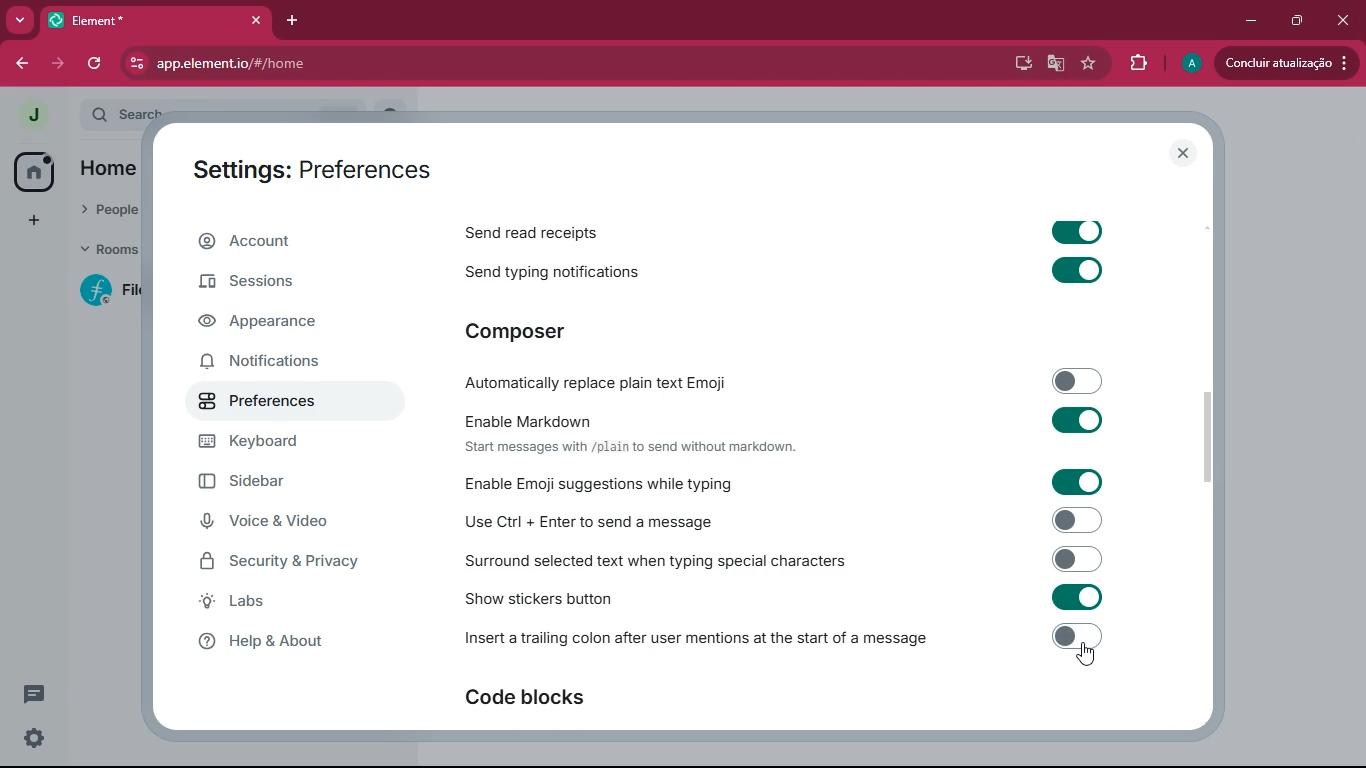 The height and width of the screenshot is (768, 1366). I want to click on Send typing notifications, so click(794, 272).